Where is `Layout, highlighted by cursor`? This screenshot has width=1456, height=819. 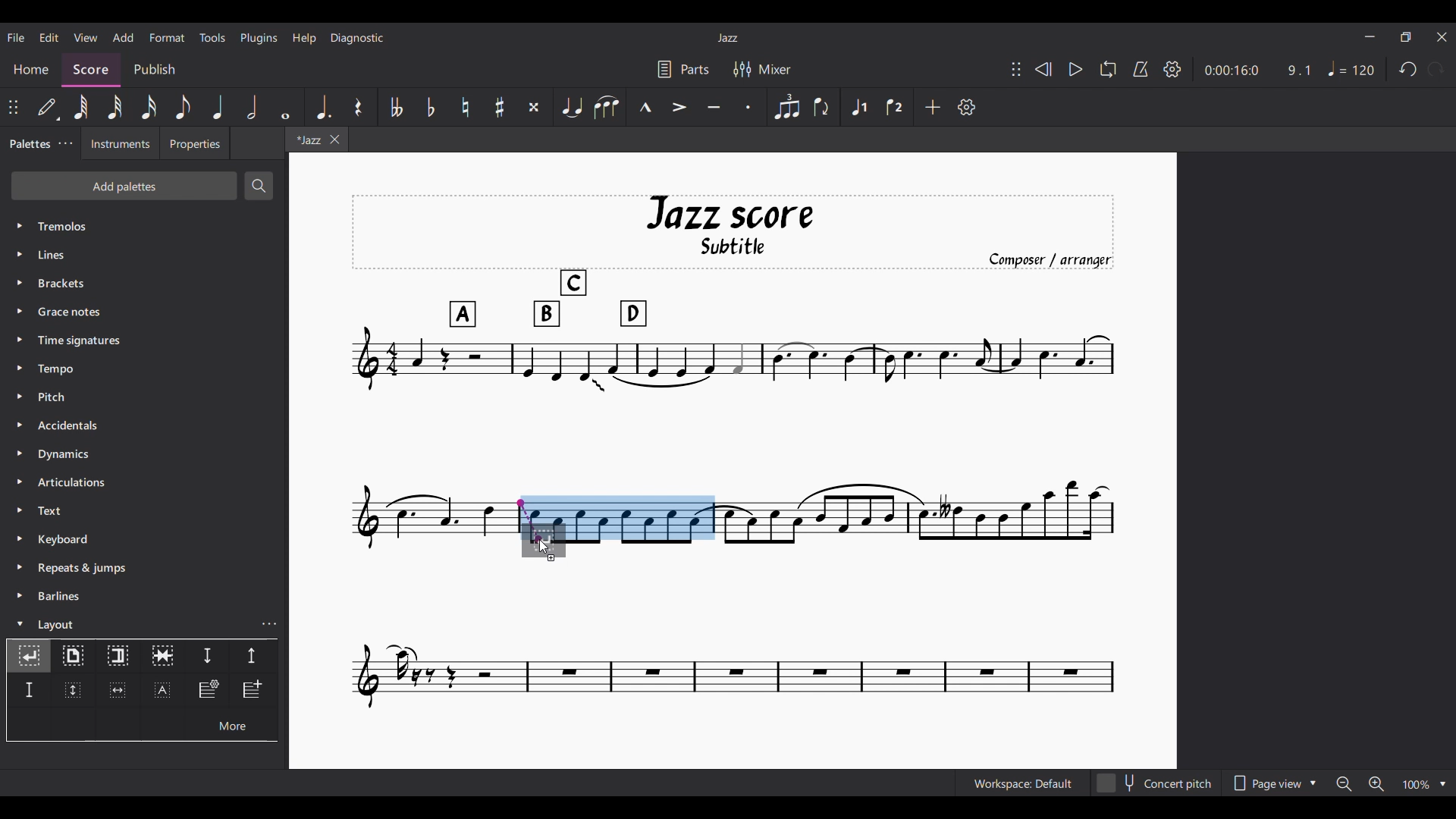
Layout, highlighted by cursor is located at coordinates (130, 623).